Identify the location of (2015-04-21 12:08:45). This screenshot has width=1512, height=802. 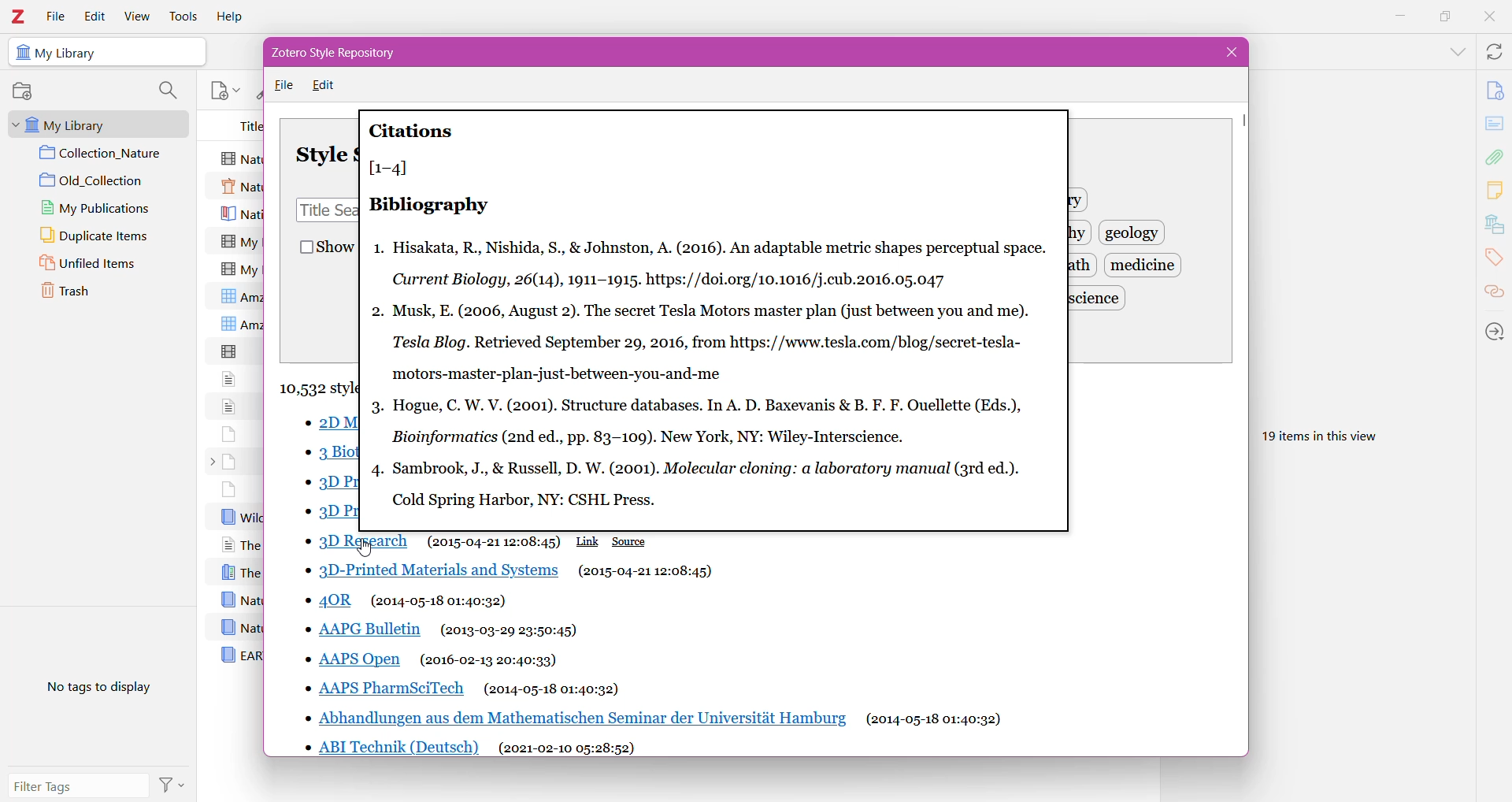
(494, 541).